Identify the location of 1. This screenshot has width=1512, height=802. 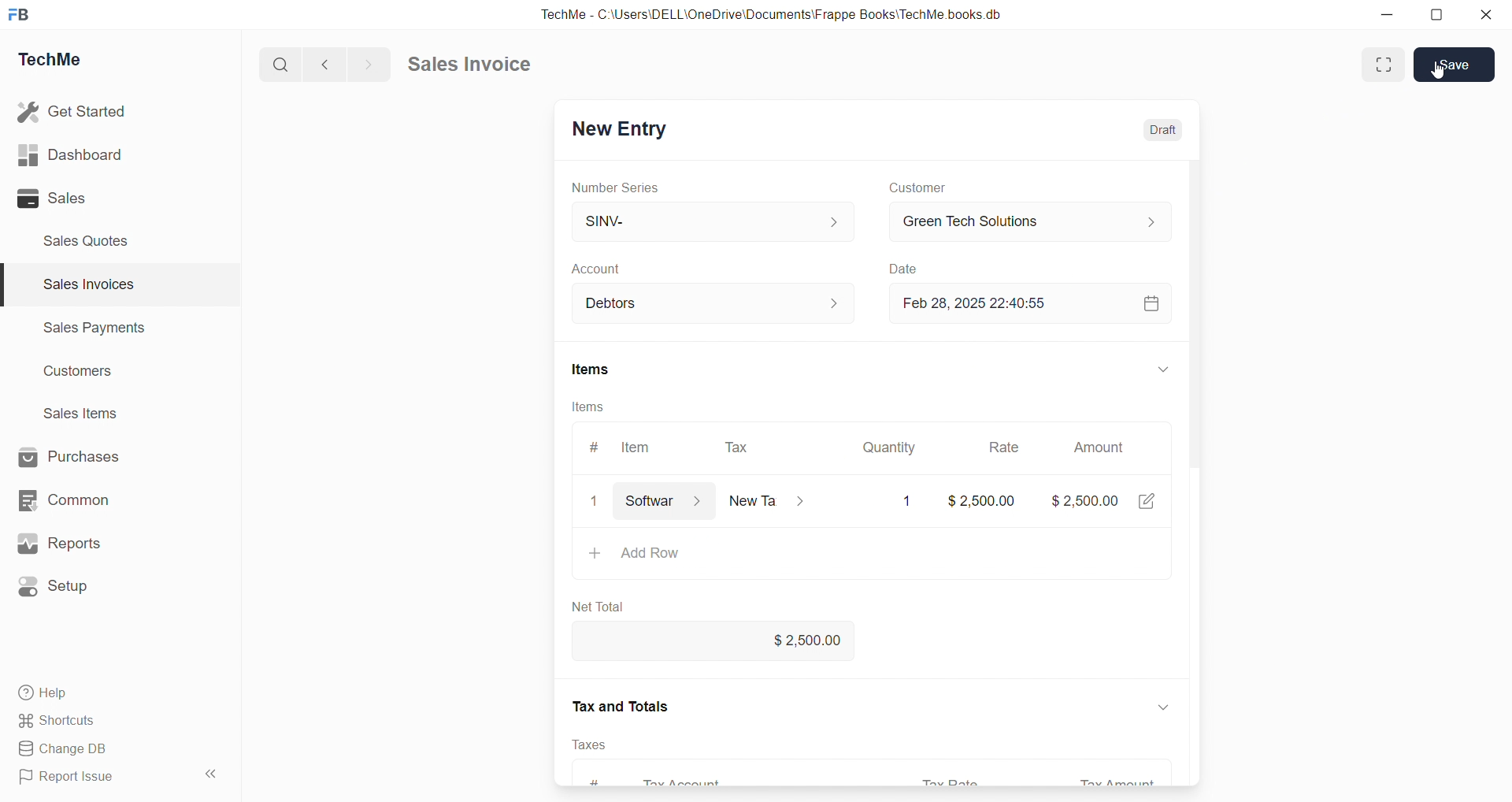
(907, 501).